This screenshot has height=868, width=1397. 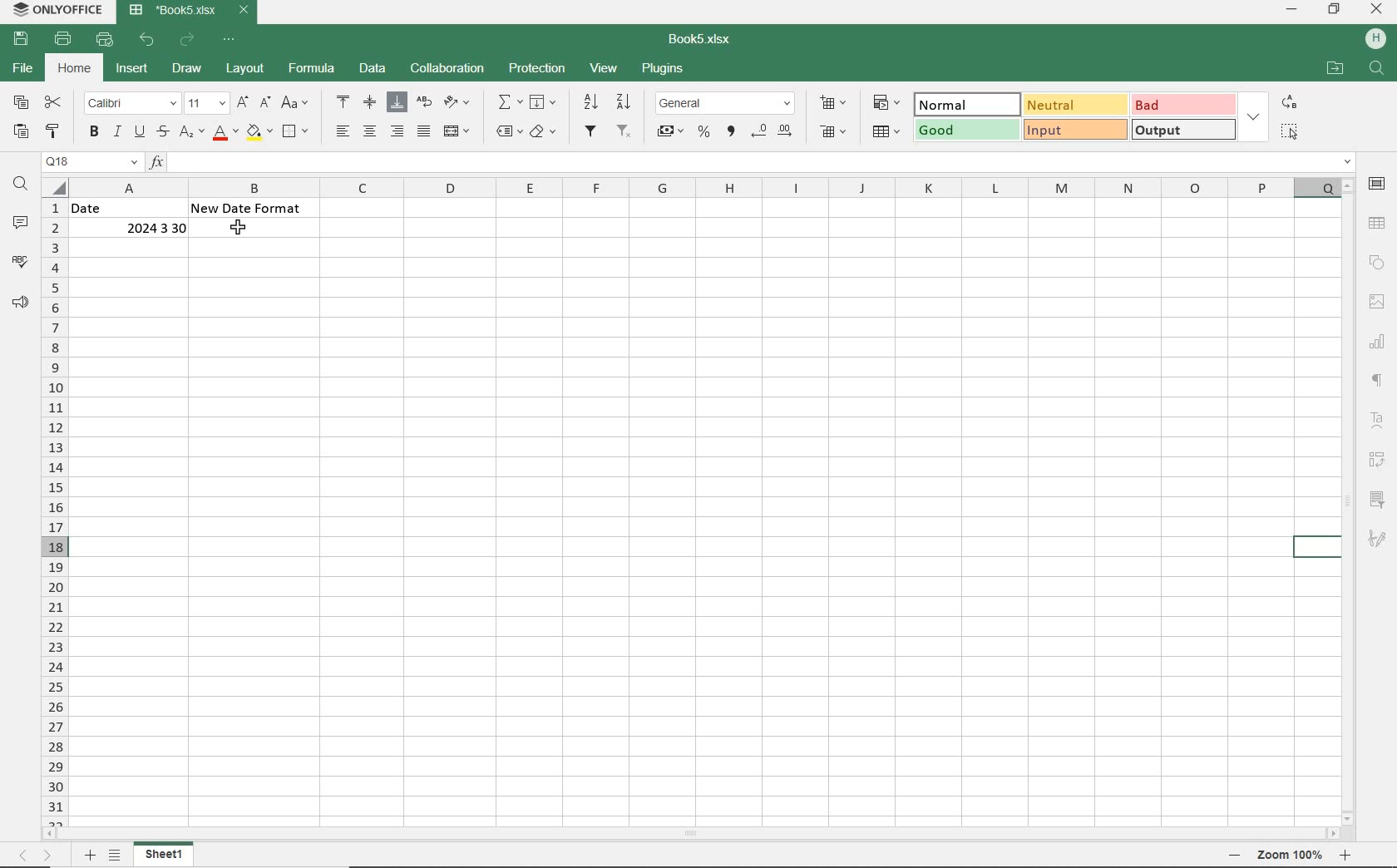 What do you see at coordinates (1336, 70) in the screenshot?
I see `OPEN FILE LOCATION` at bounding box center [1336, 70].